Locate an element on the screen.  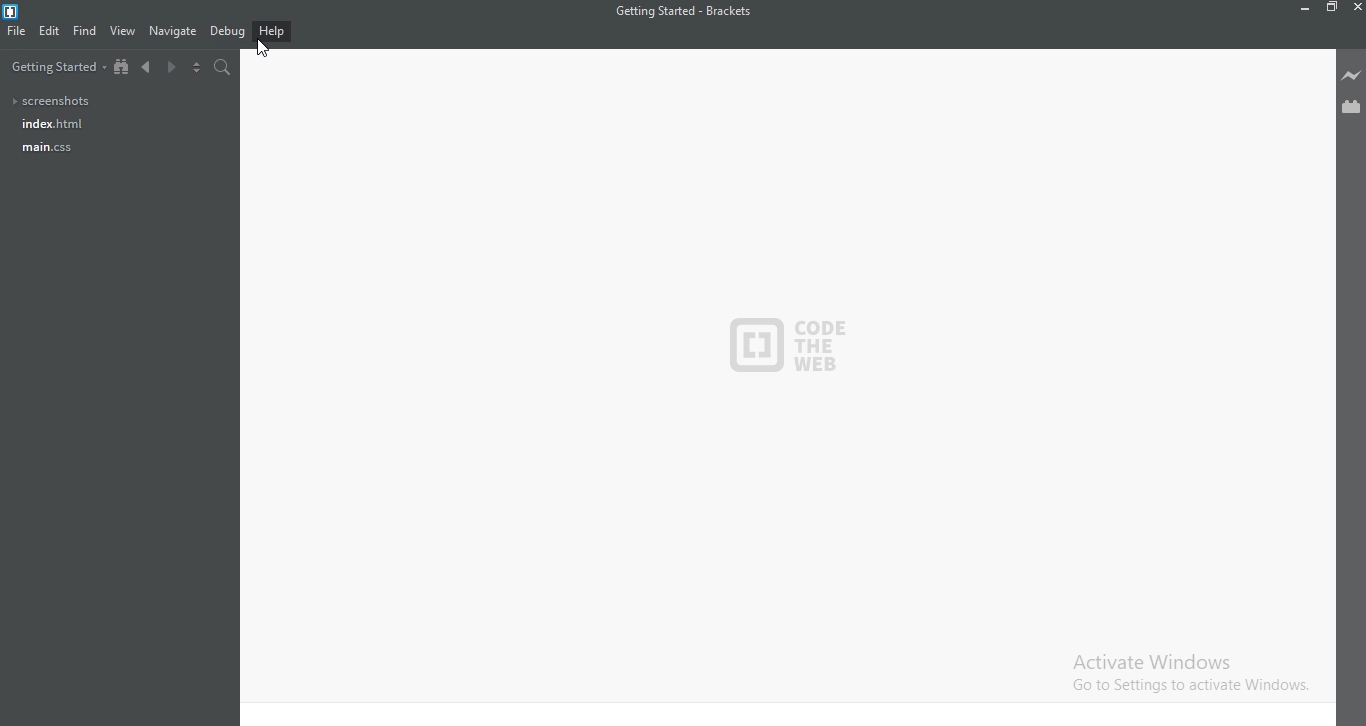
Minimise is located at coordinates (1306, 9).